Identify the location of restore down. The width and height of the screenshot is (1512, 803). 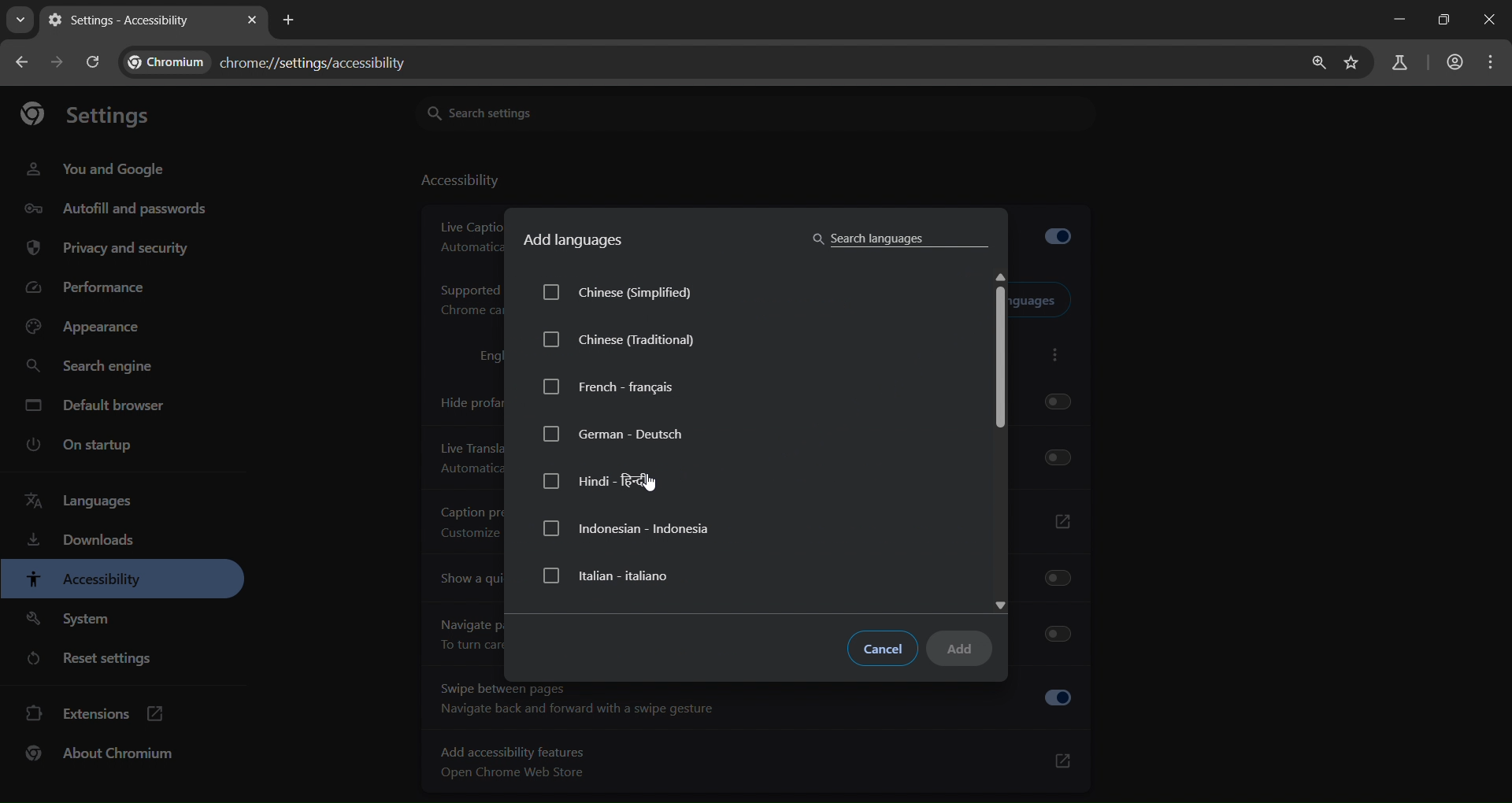
(1442, 19).